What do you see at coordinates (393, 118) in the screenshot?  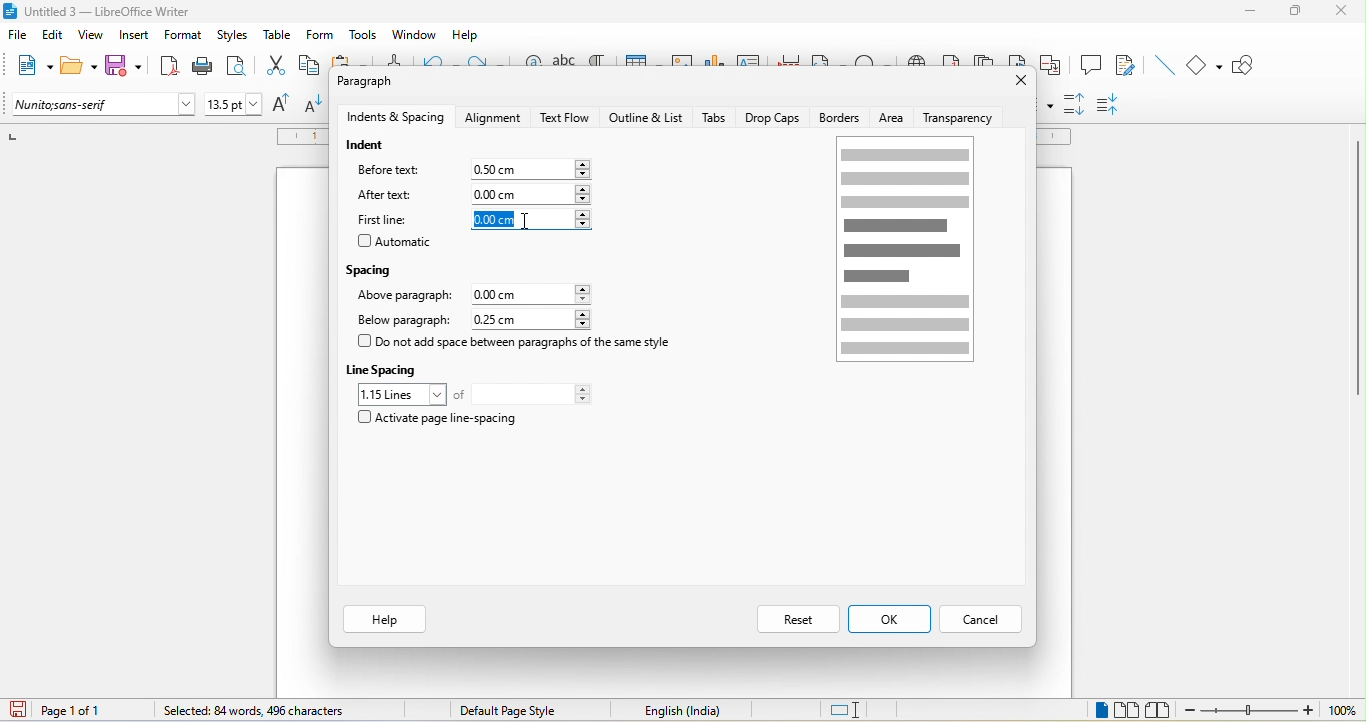 I see `indents and spacing` at bounding box center [393, 118].